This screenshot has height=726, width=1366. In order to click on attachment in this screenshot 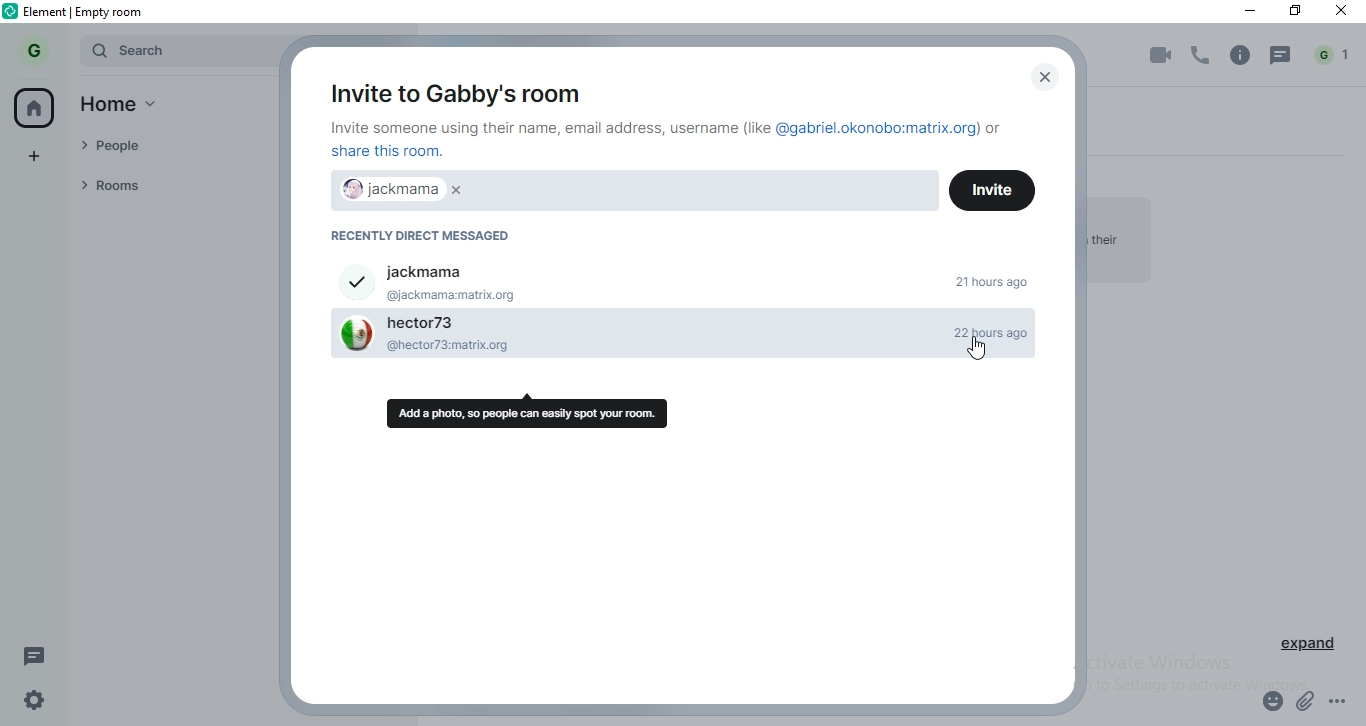, I will do `click(1307, 703)`.